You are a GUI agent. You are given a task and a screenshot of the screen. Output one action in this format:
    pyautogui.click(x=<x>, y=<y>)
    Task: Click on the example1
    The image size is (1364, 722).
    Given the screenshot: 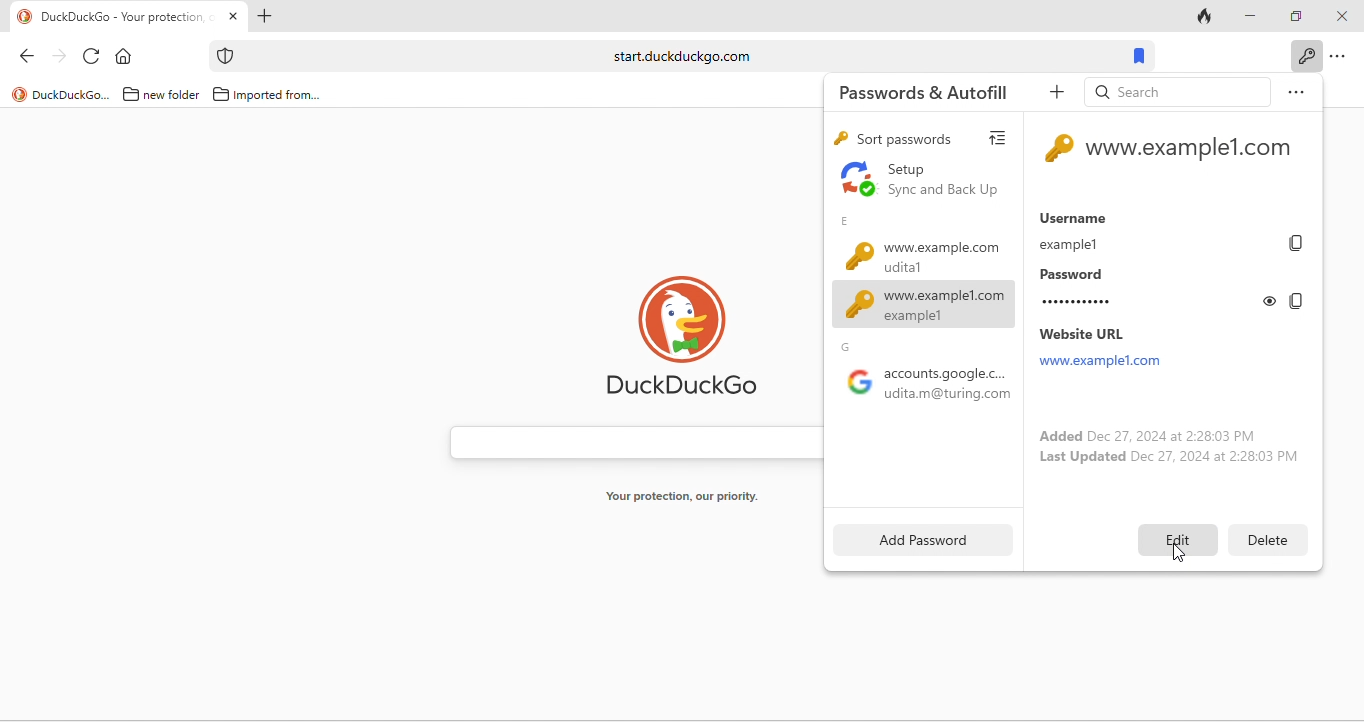 What is the action you would take?
    pyautogui.click(x=1072, y=244)
    